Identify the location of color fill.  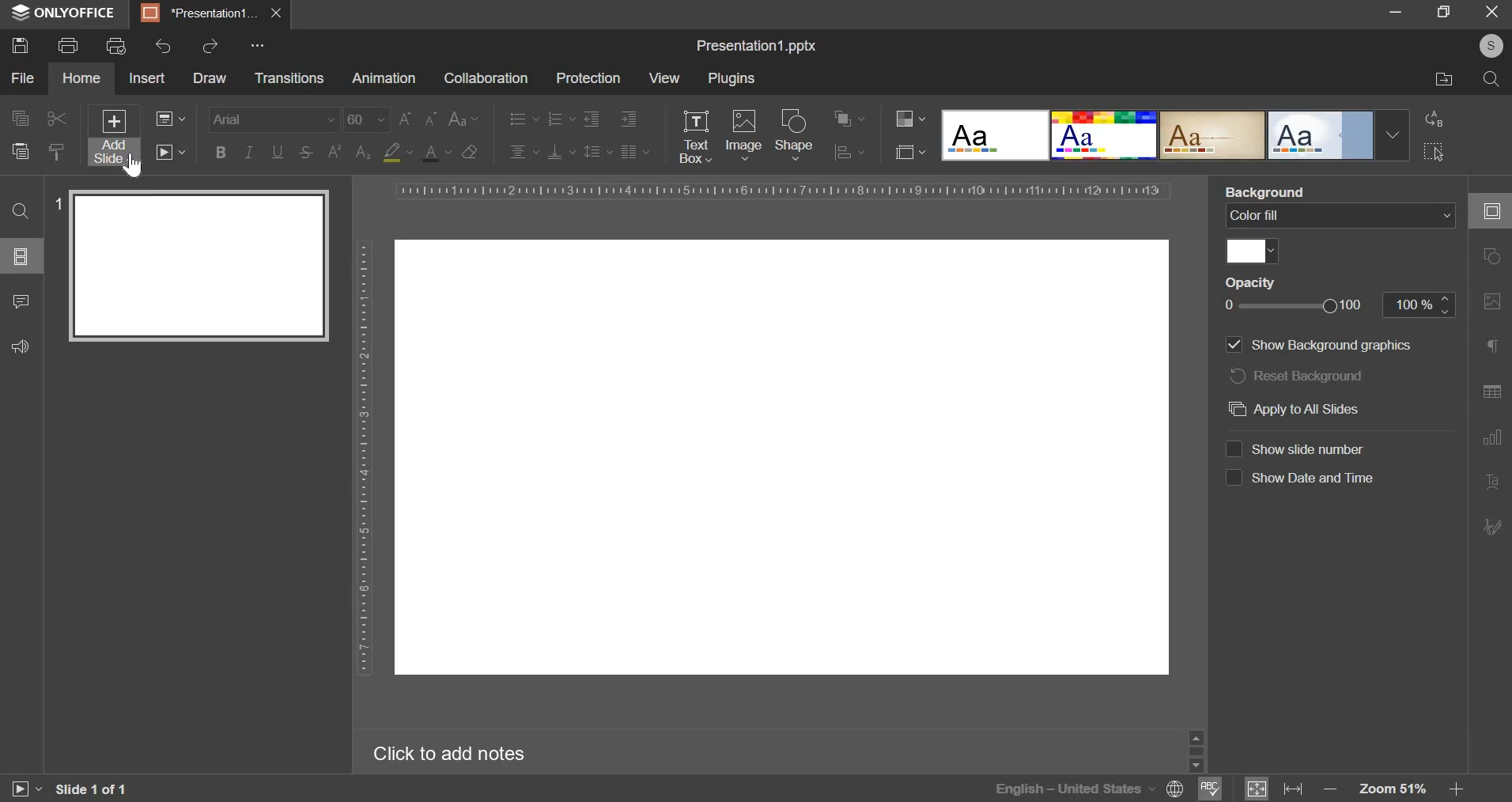
(1338, 216).